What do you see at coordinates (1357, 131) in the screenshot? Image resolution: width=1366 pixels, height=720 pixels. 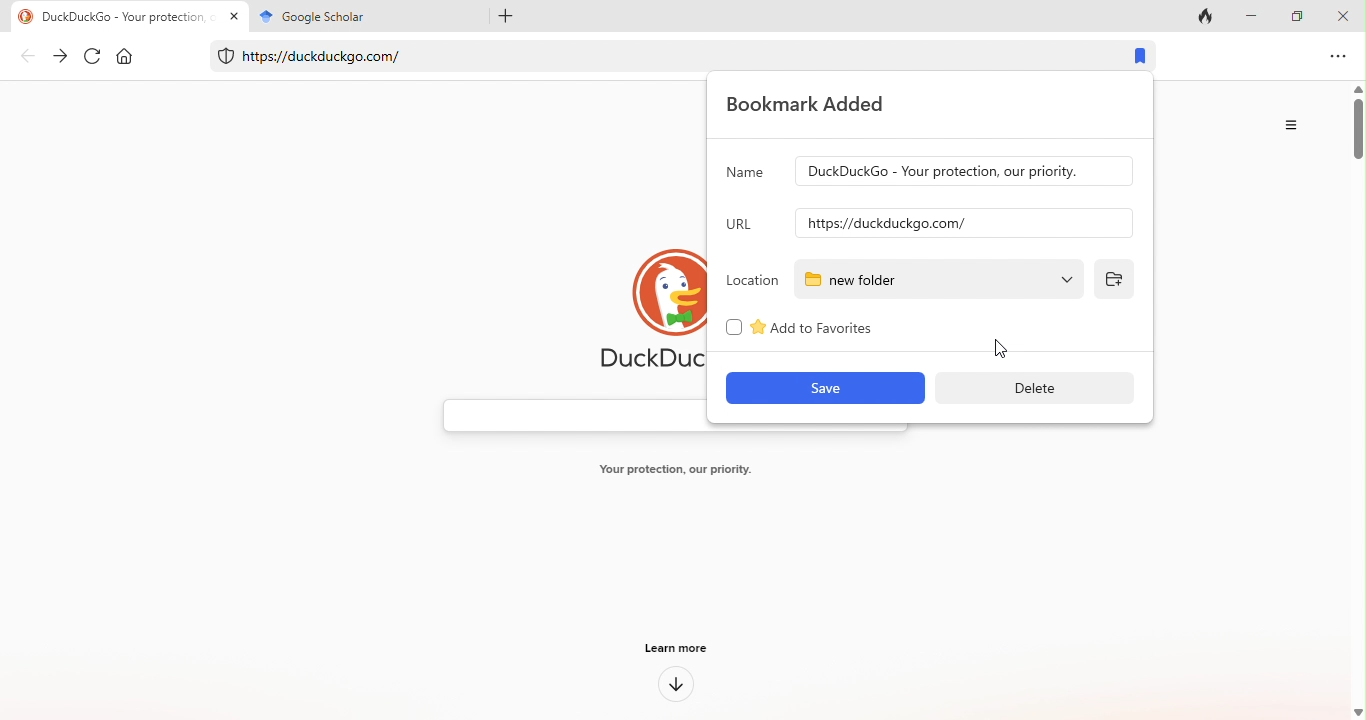 I see `vertical scroll bar` at bounding box center [1357, 131].